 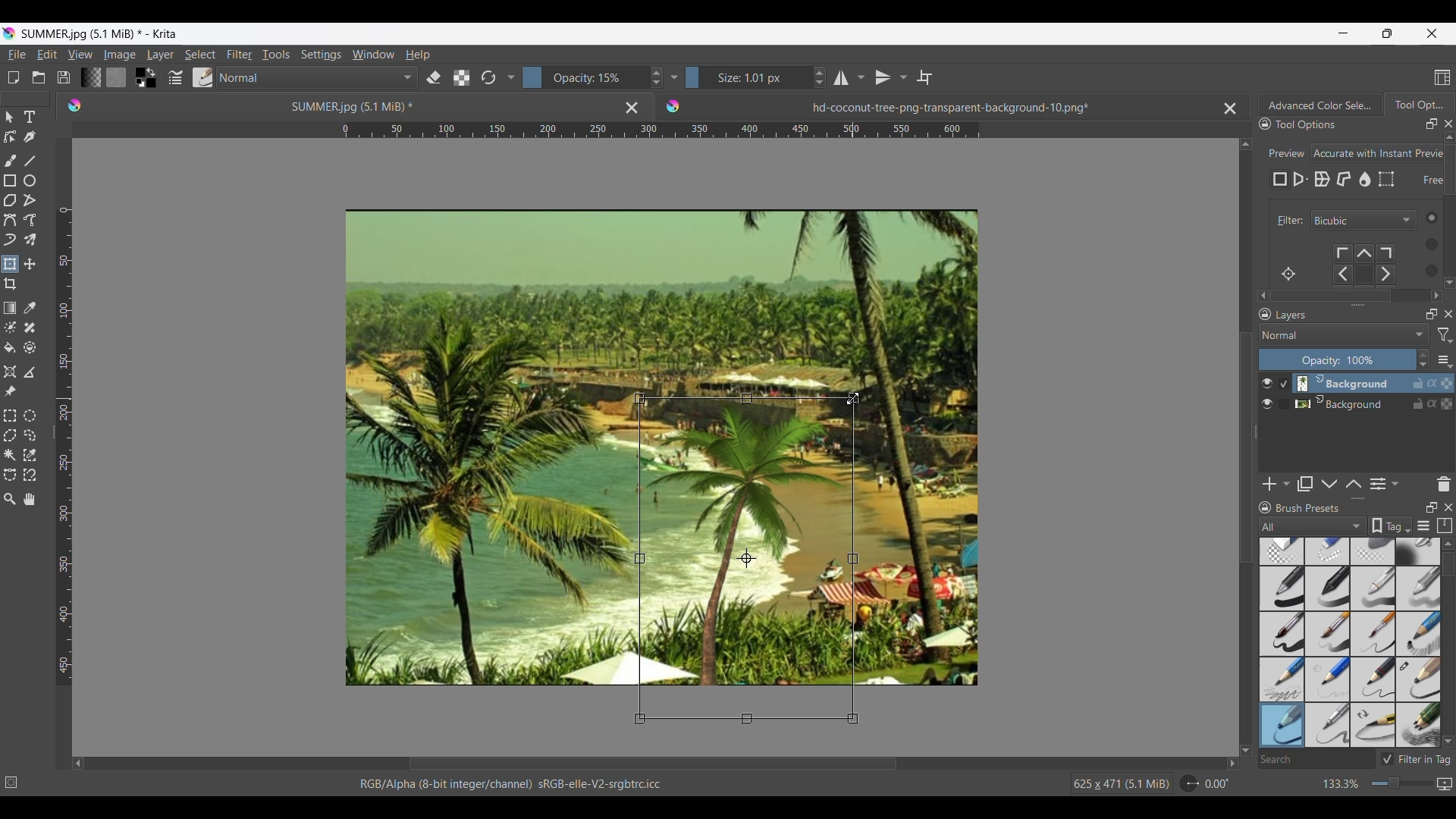 What do you see at coordinates (632, 107) in the screenshot?
I see `Close` at bounding box center [632, 107].